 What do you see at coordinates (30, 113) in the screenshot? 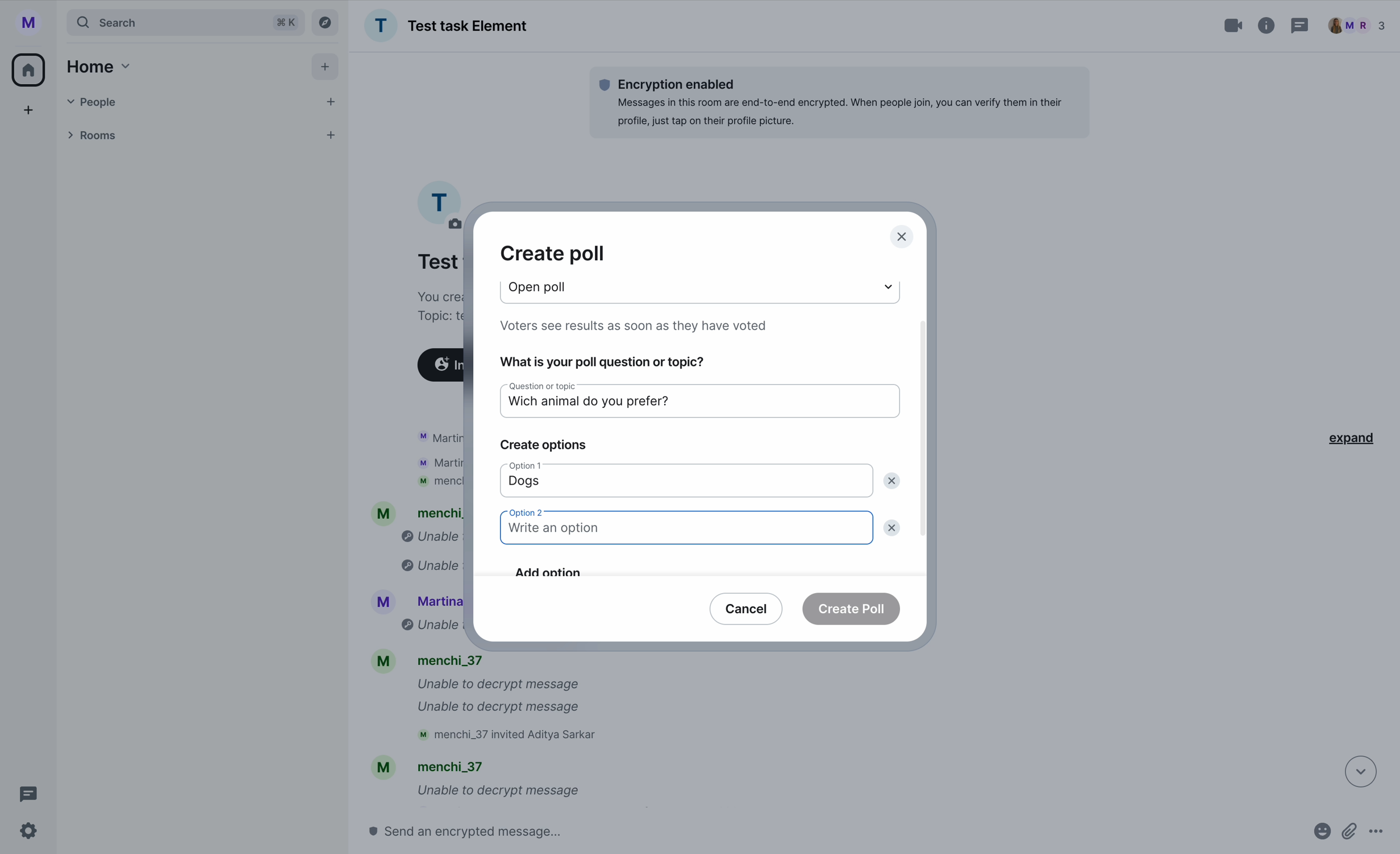
I see `add` at bounding box center [30, 113].